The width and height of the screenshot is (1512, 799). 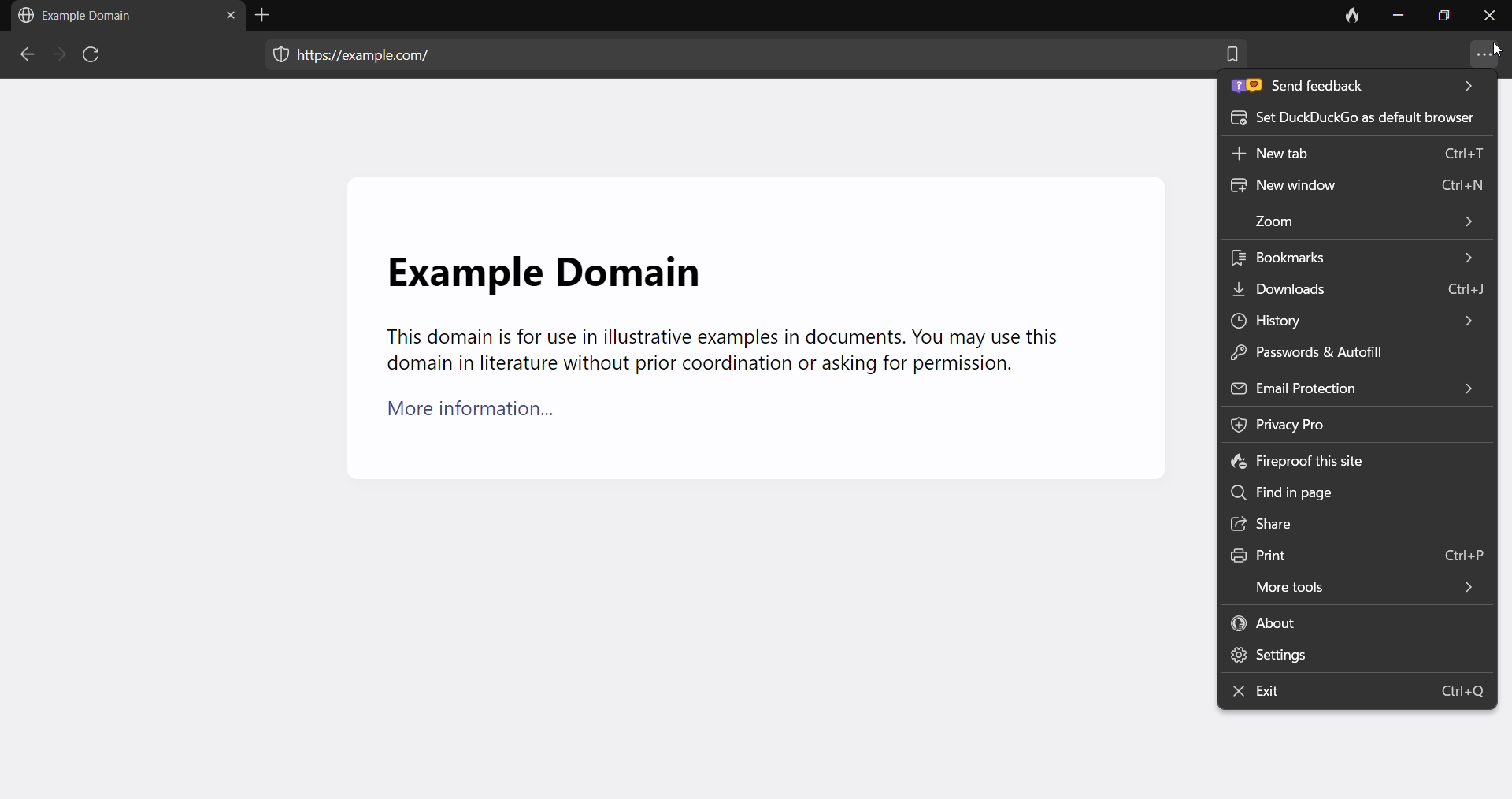 What do you see at coordinates (25, 57) in the screenshot?
I see `backward` at bounding box center [25, 57].